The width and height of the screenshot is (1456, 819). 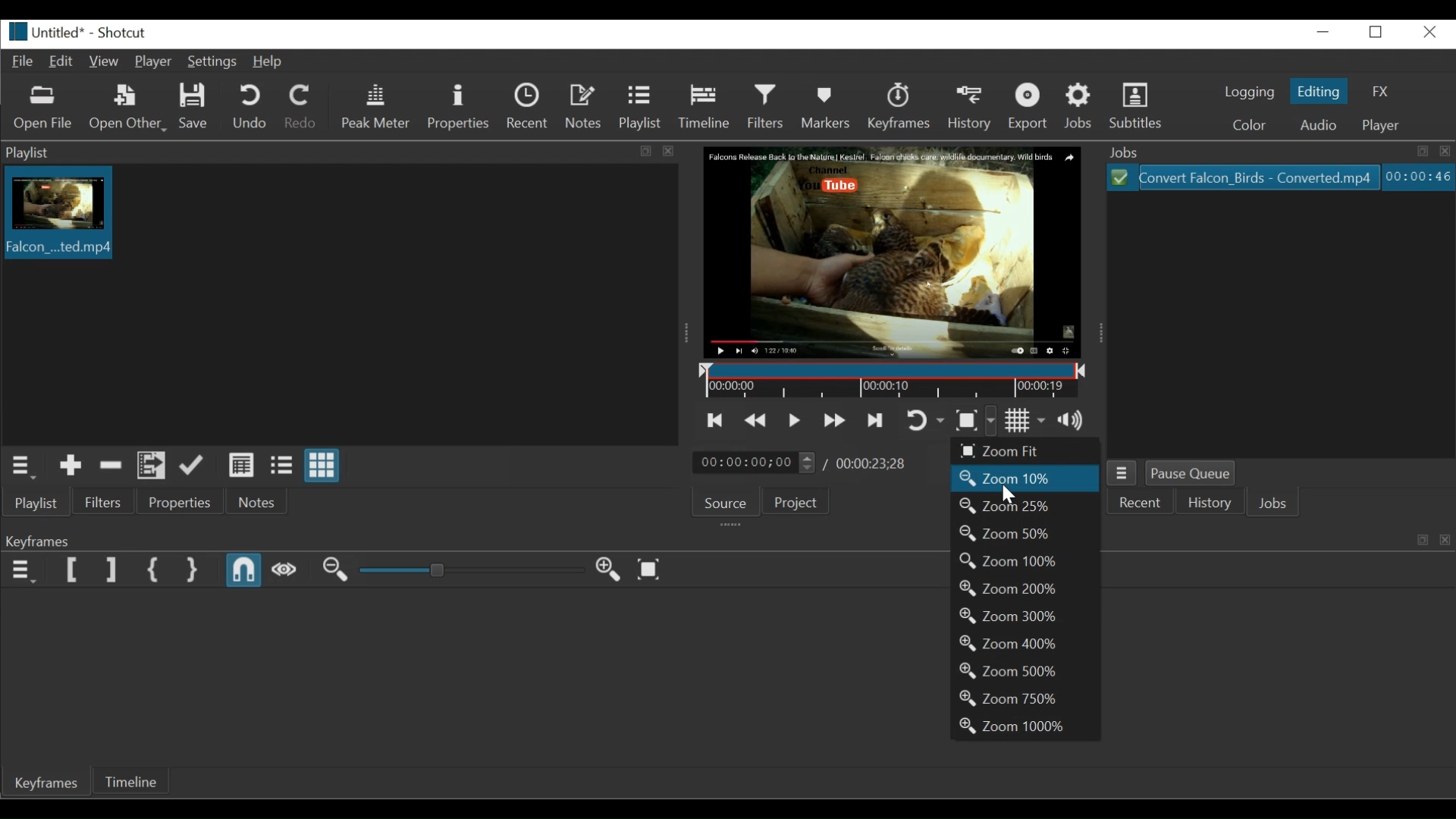 I want to click on Und, so click(x=249, y=107).